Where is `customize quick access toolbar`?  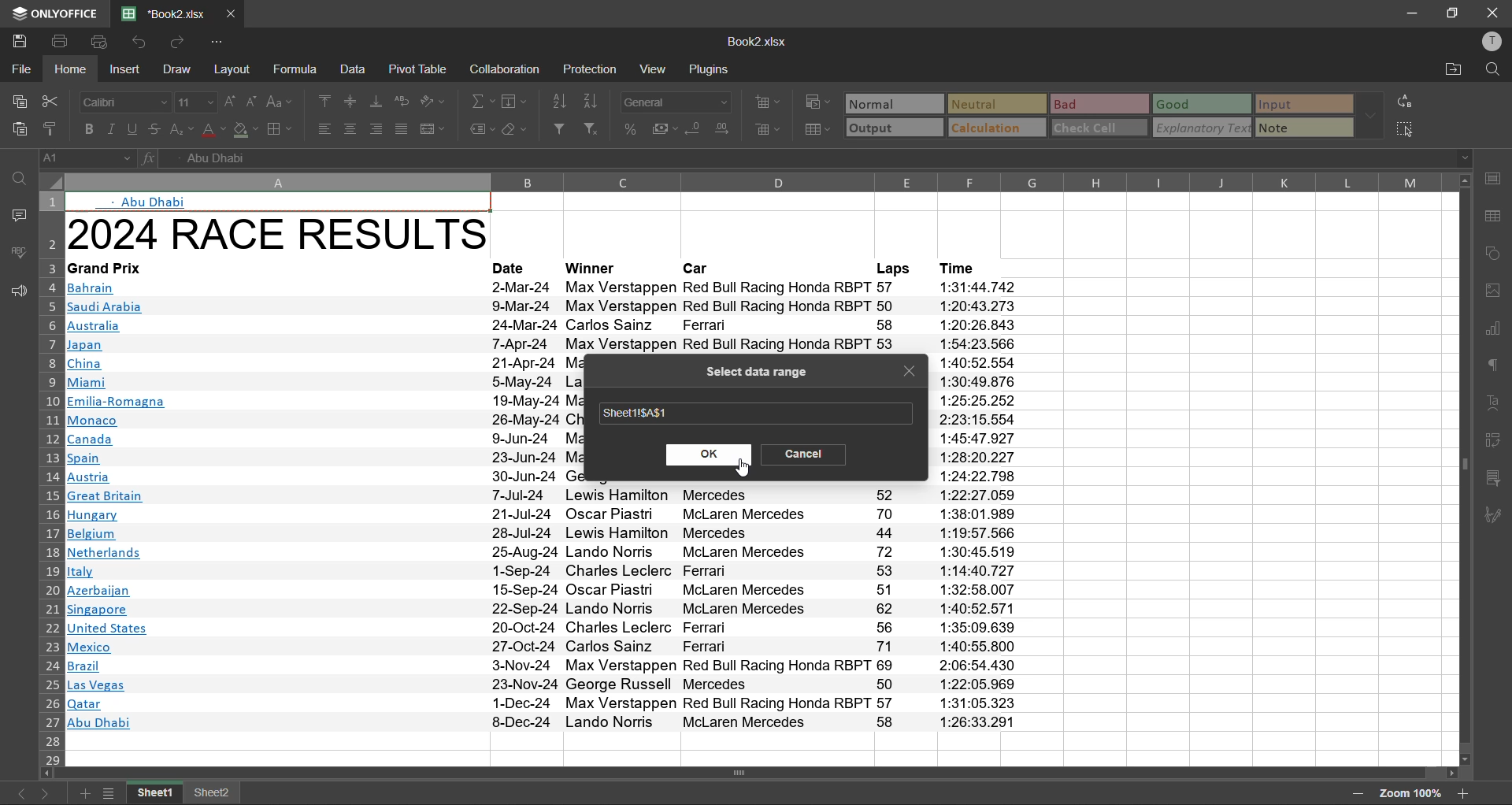 customize quick access toolbar is located at coordinates (215, 44).